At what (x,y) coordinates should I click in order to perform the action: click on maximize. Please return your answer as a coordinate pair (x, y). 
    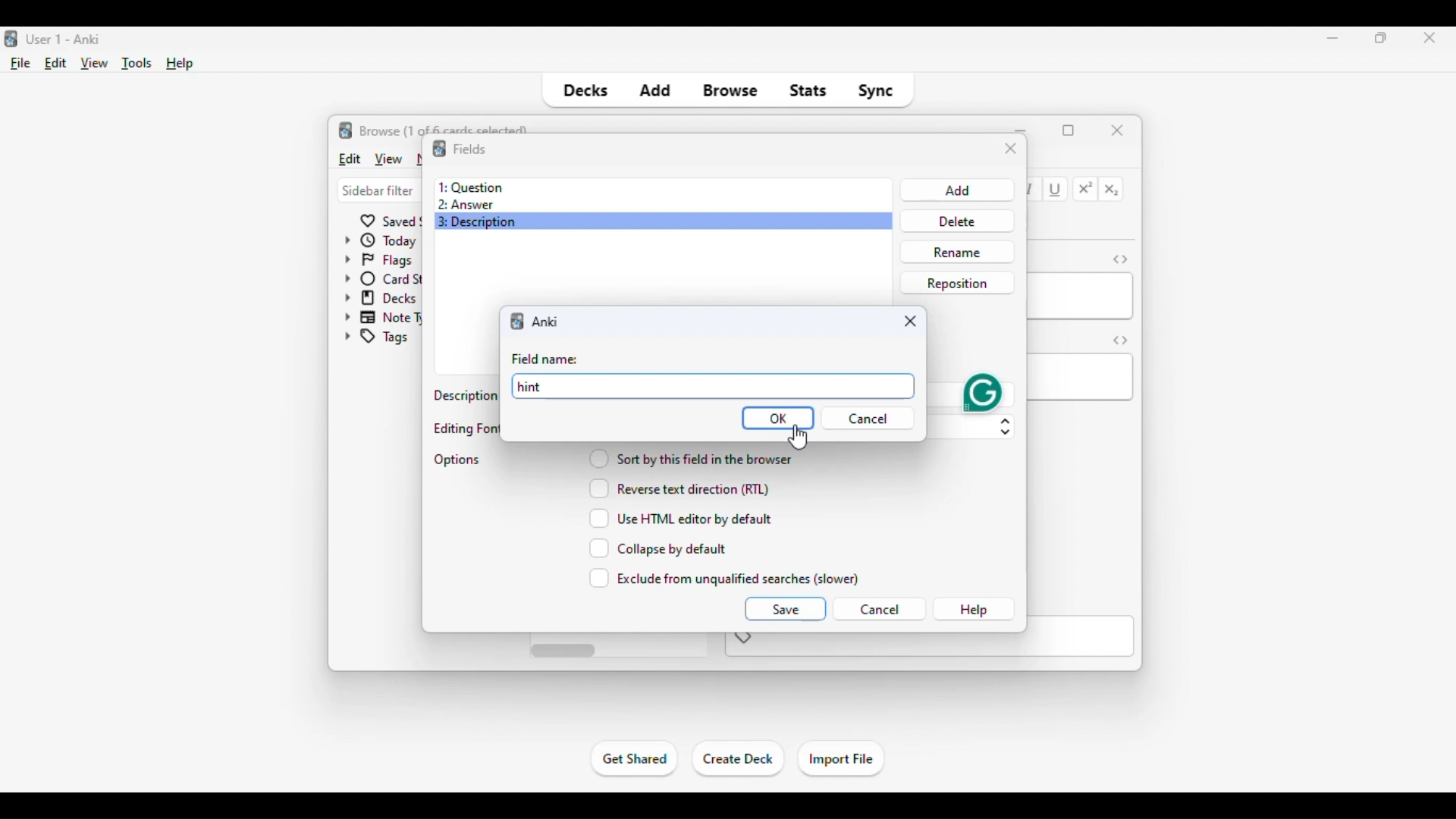
    Looking at the image, I should click on (1068, 130).